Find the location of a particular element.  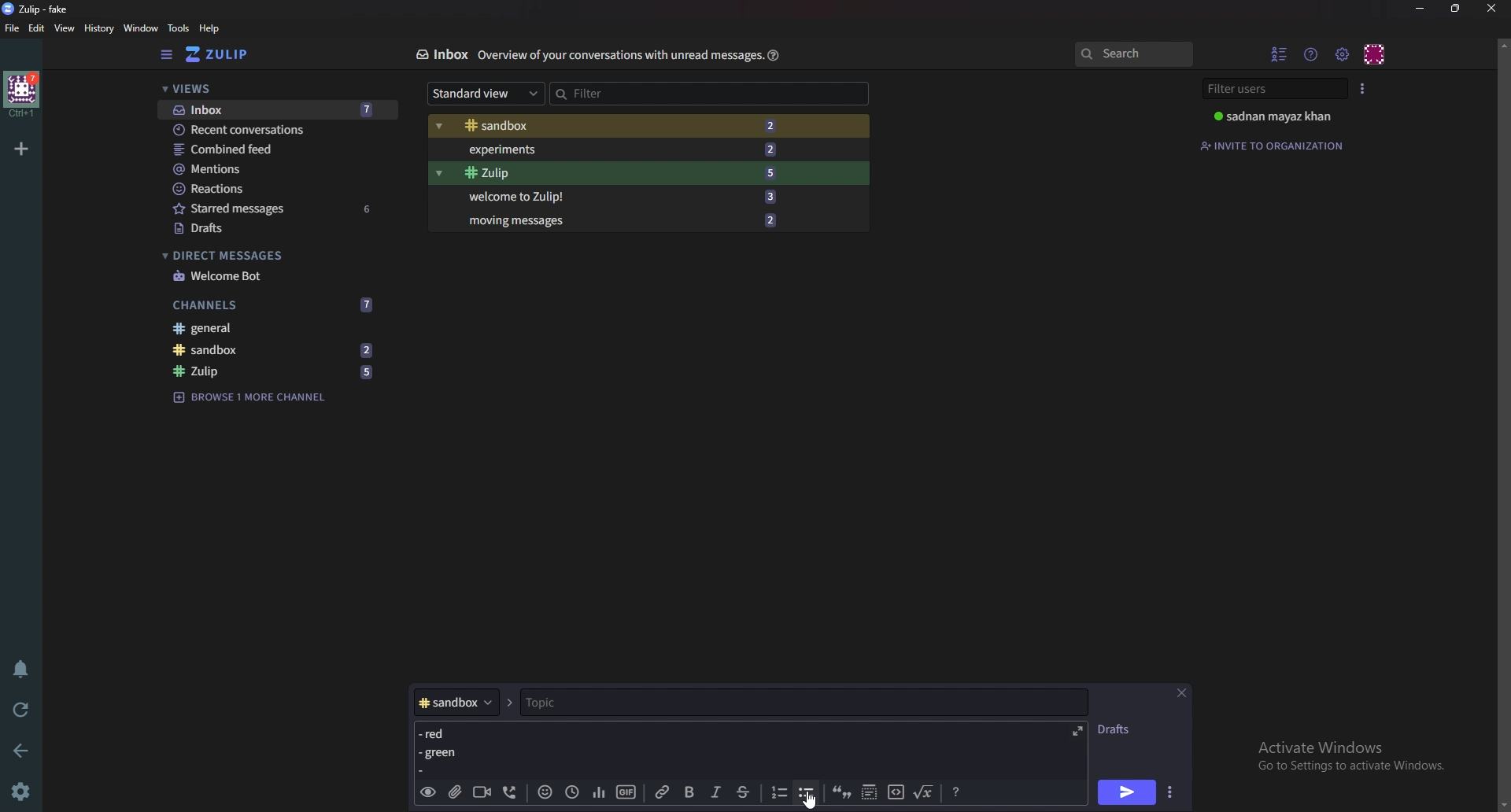

Spoiler is located at coordinates (870, 791).